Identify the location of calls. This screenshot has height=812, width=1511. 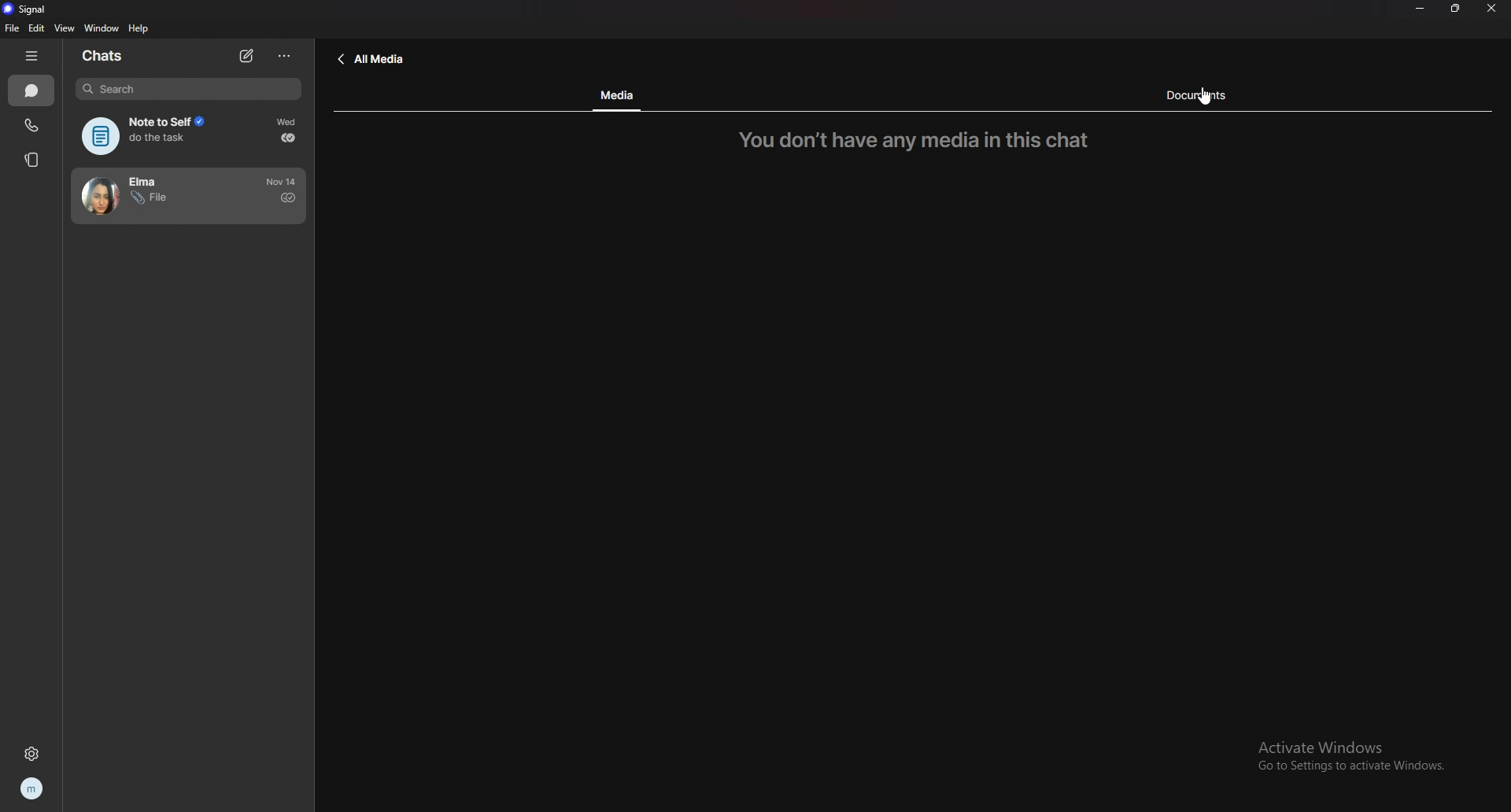
(32, 126).